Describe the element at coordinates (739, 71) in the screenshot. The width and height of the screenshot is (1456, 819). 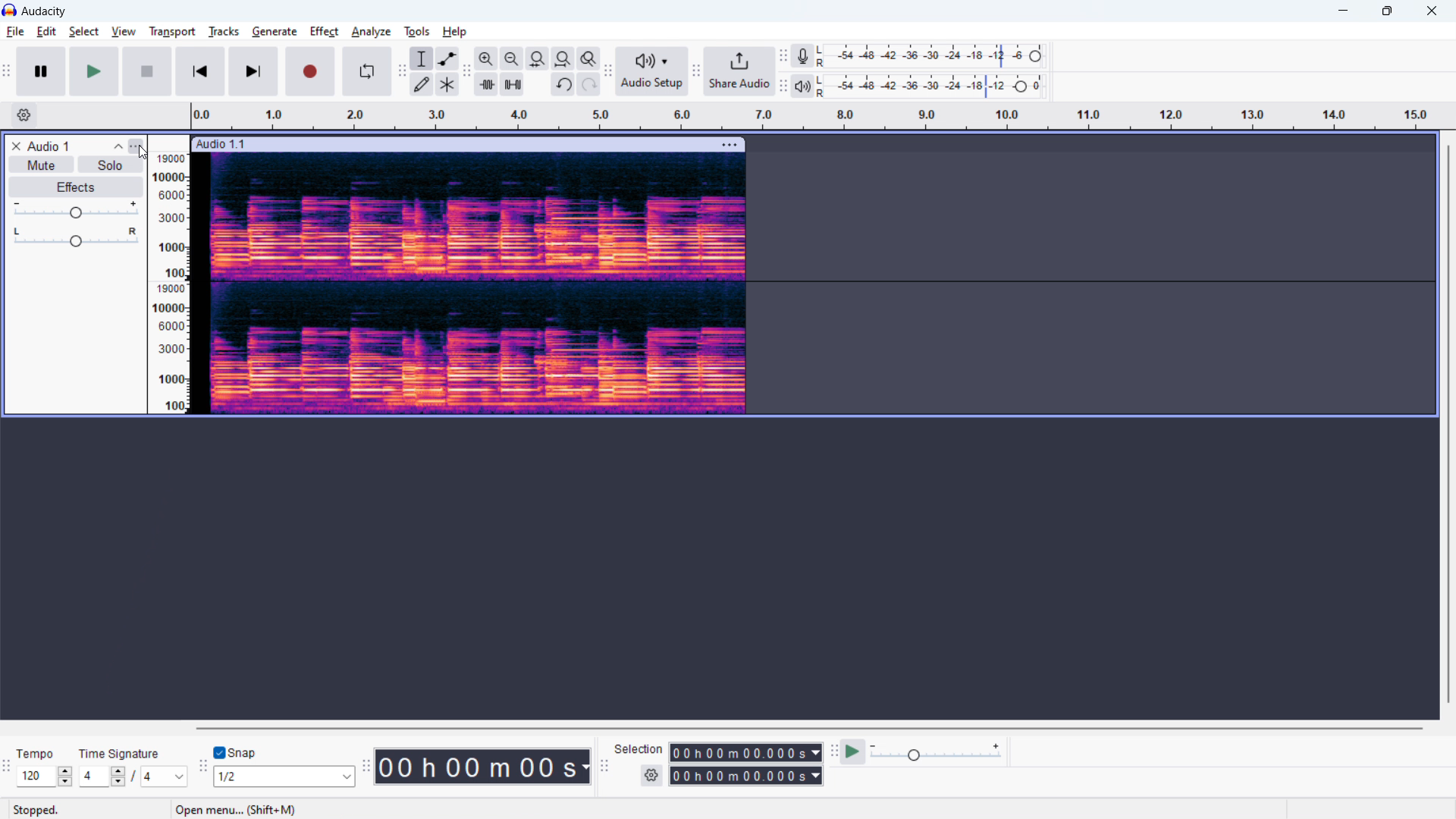
I see `share audio` at that location.